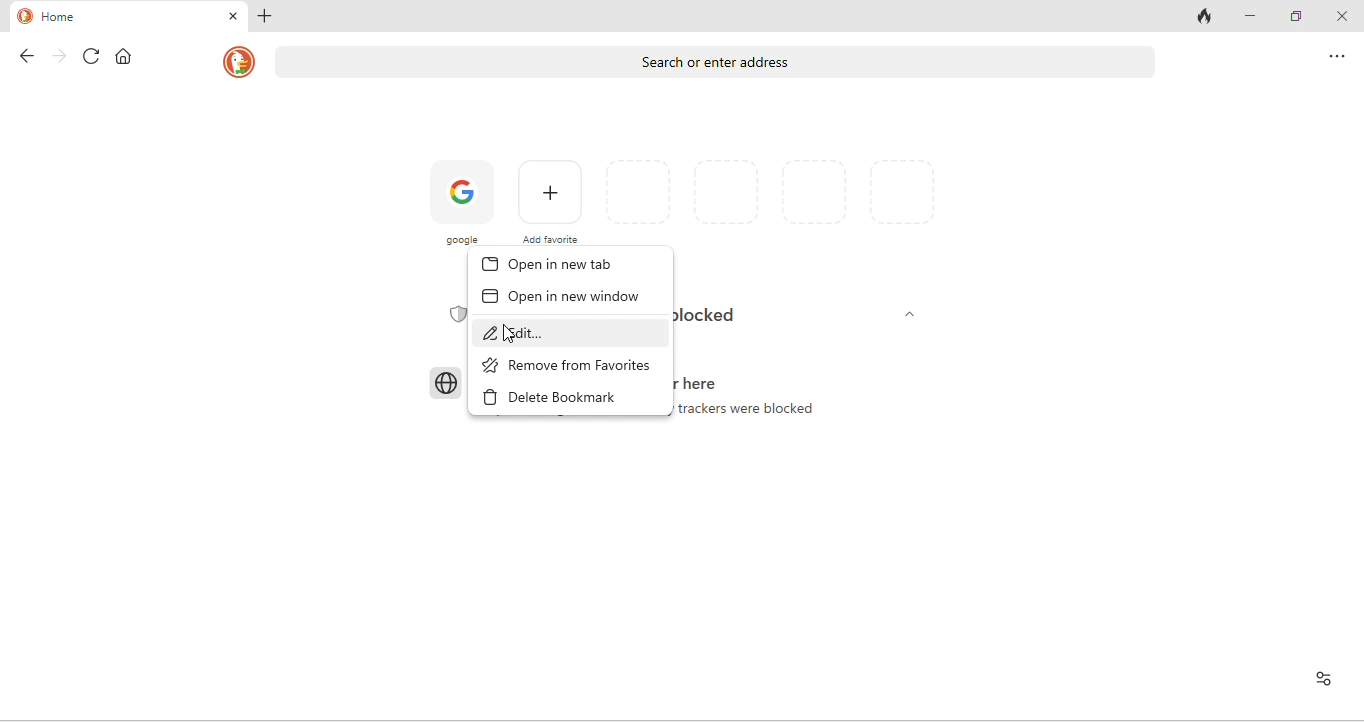 The image size is (1364, 722). I want to click on refresh, so click(85, 57).